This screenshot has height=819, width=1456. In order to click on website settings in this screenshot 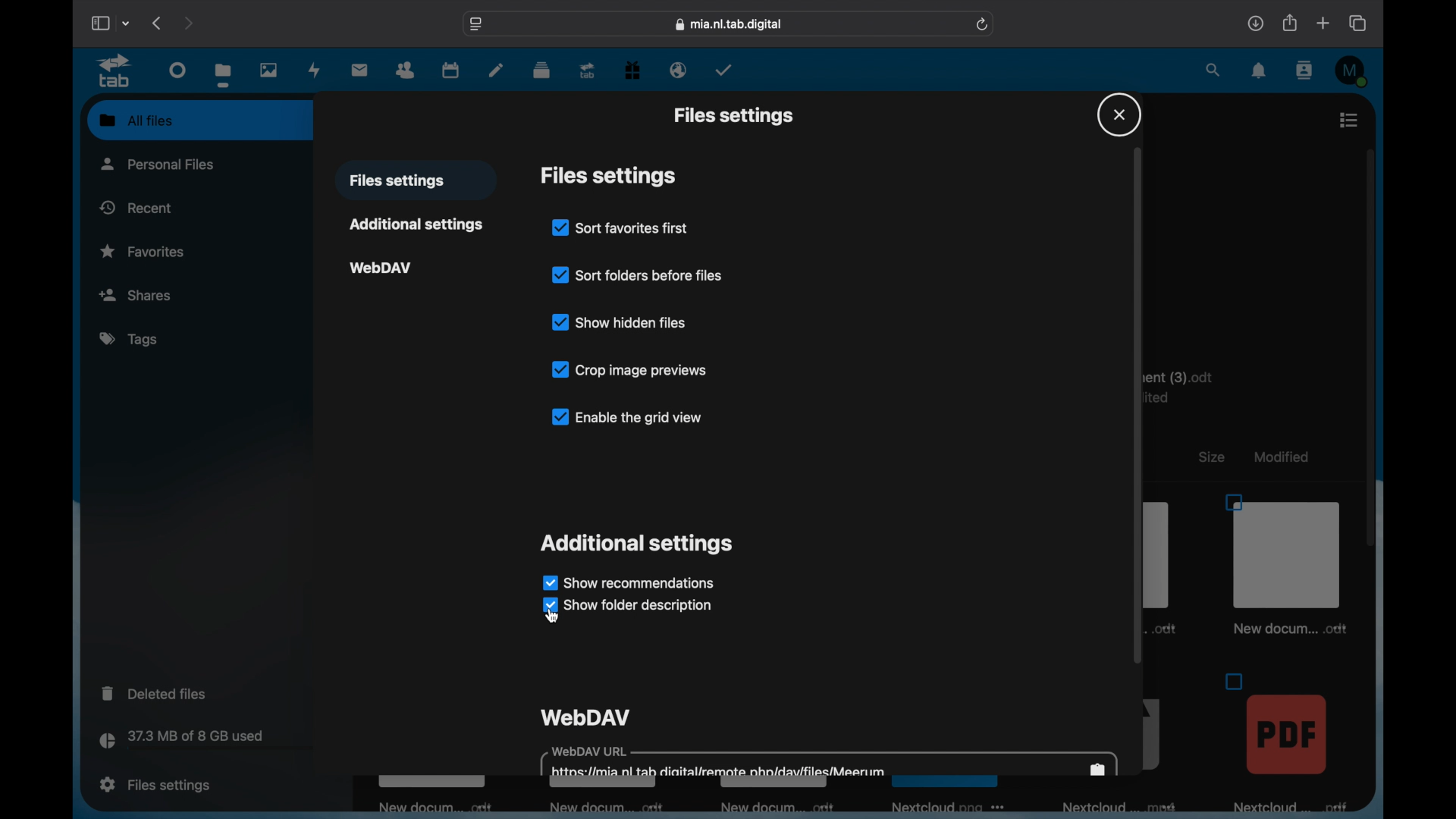, I will do `click(477, 23)`.